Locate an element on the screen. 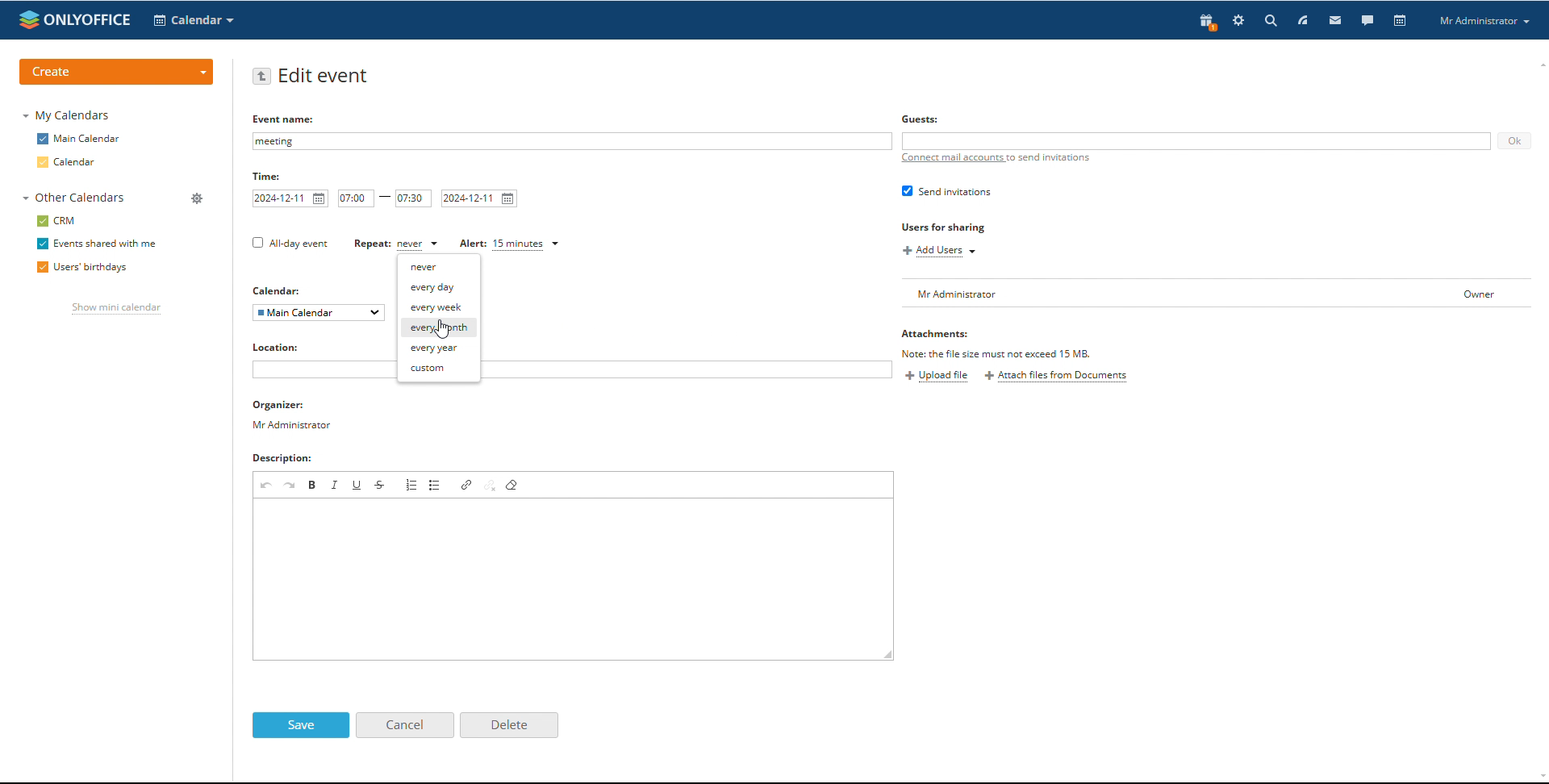 This screenshot has width=1549, height=784. bold is located at coordinates (312, 484).